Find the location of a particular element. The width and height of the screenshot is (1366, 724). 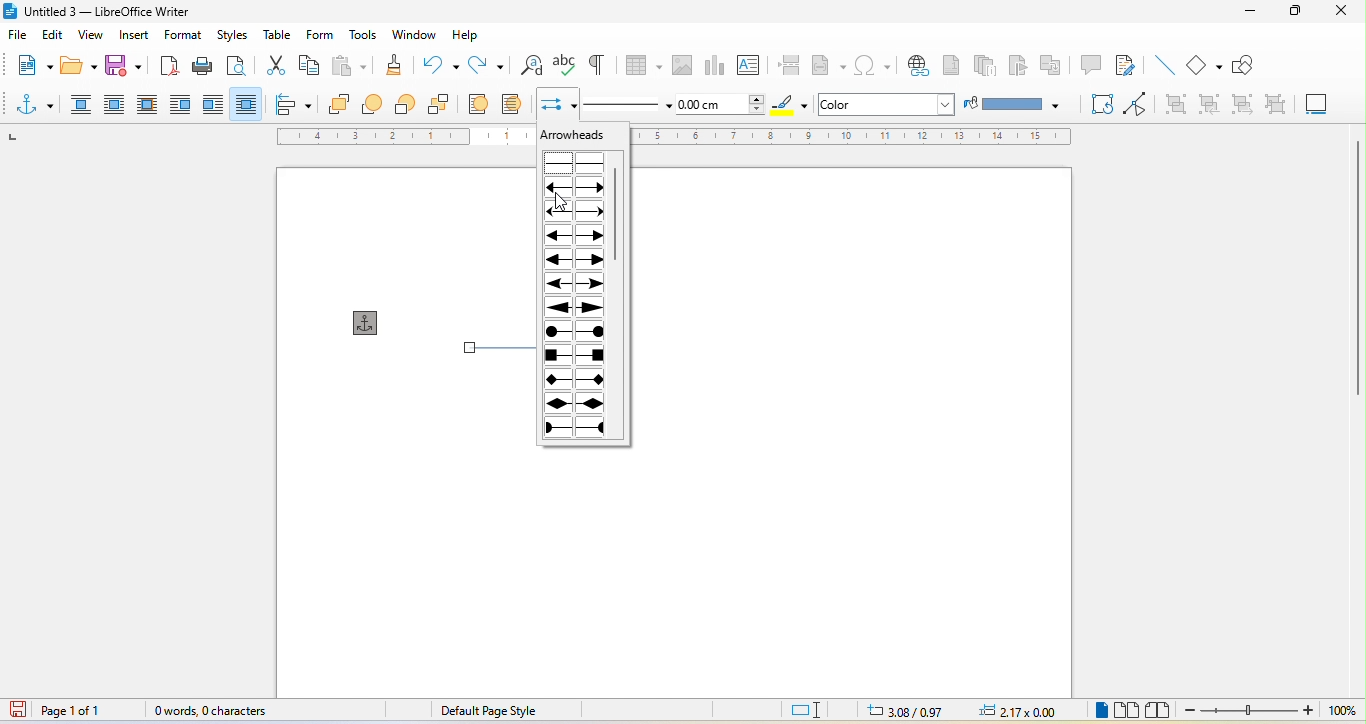

copy is located at coordinates (310, 64).